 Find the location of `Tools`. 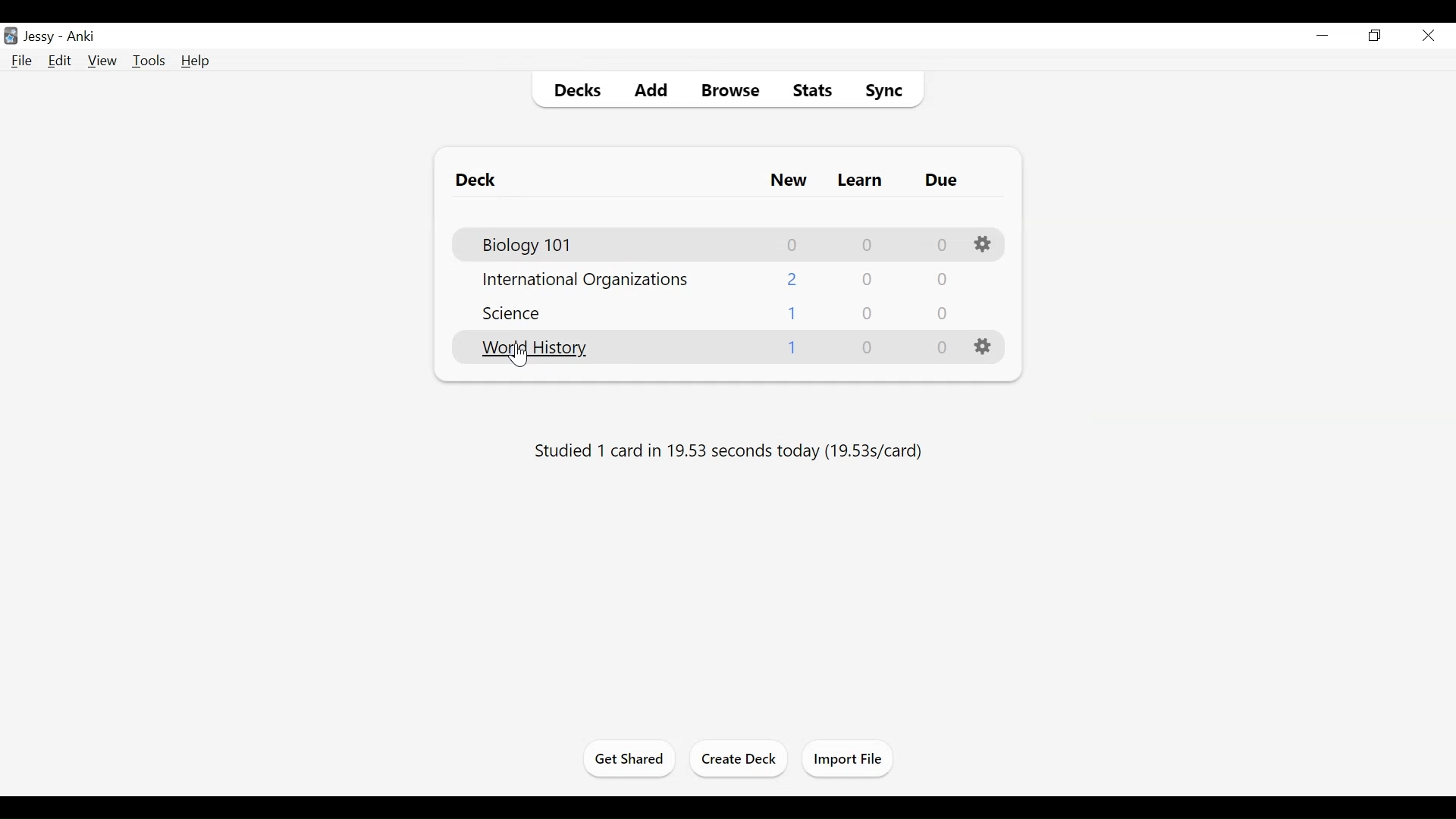

Tools is located at coordinates (149, 61).